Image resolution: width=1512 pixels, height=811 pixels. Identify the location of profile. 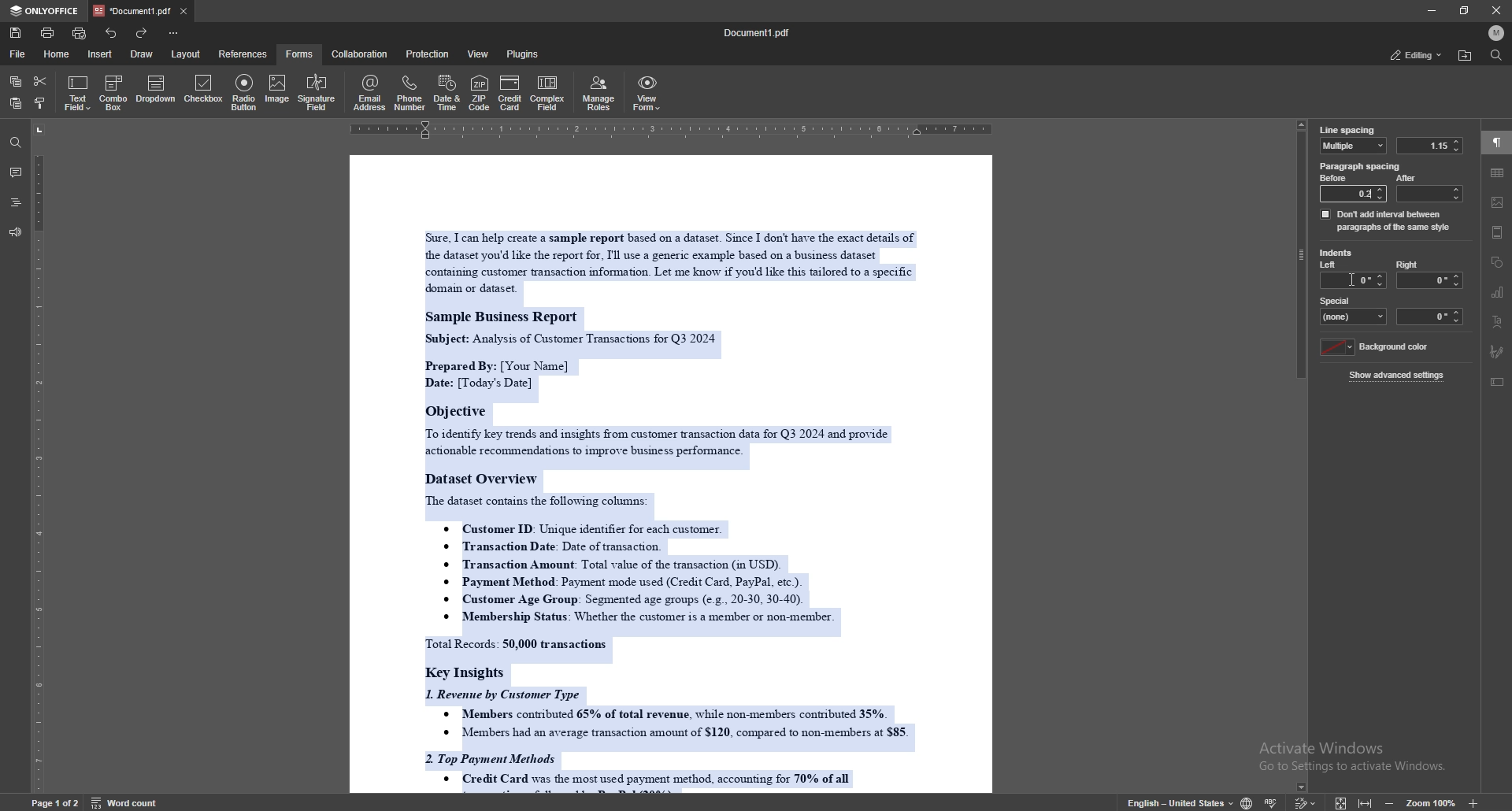
(1496, 32).